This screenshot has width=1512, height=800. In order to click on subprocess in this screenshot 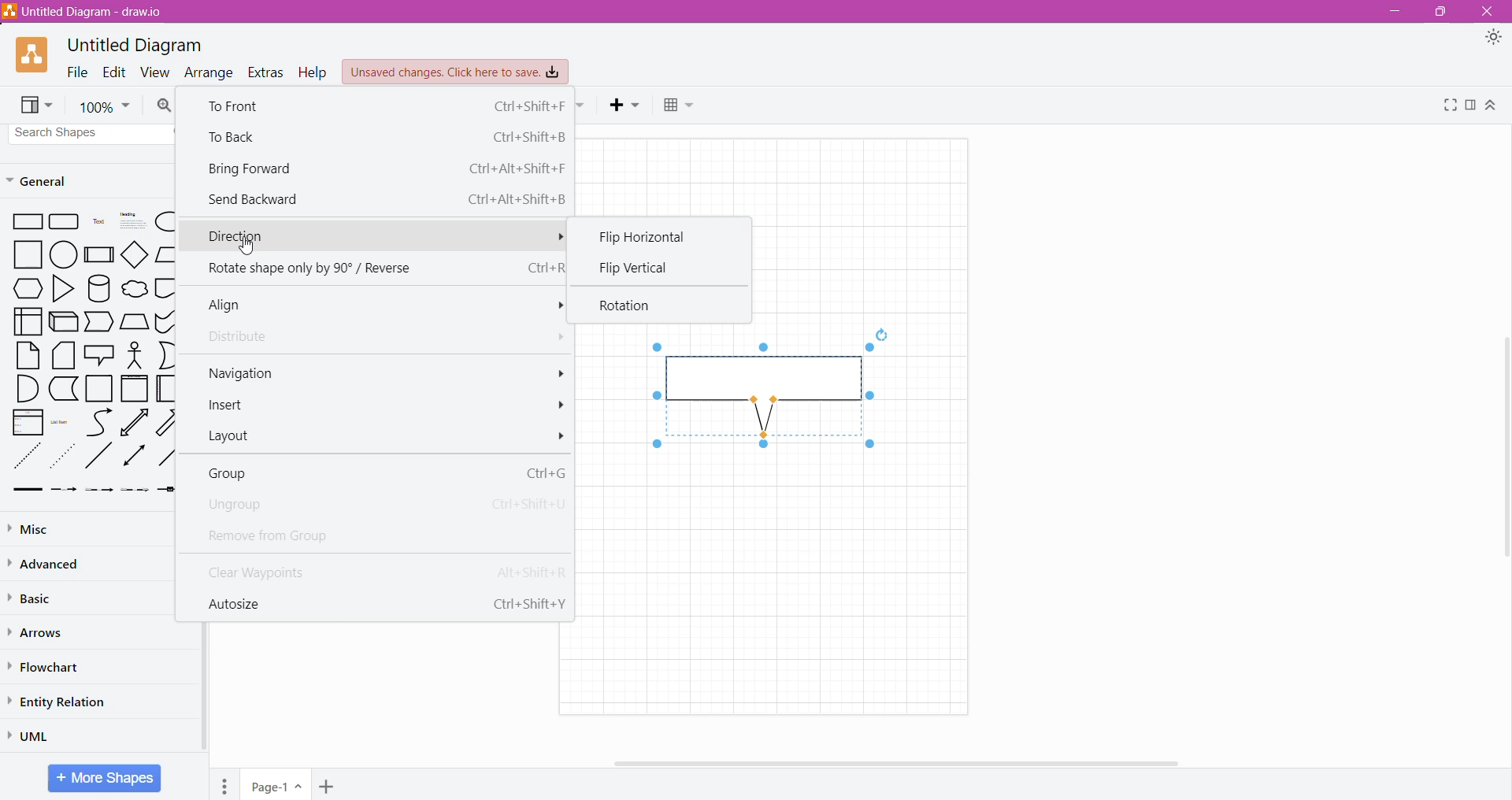, I will do `click(98, 254)`.